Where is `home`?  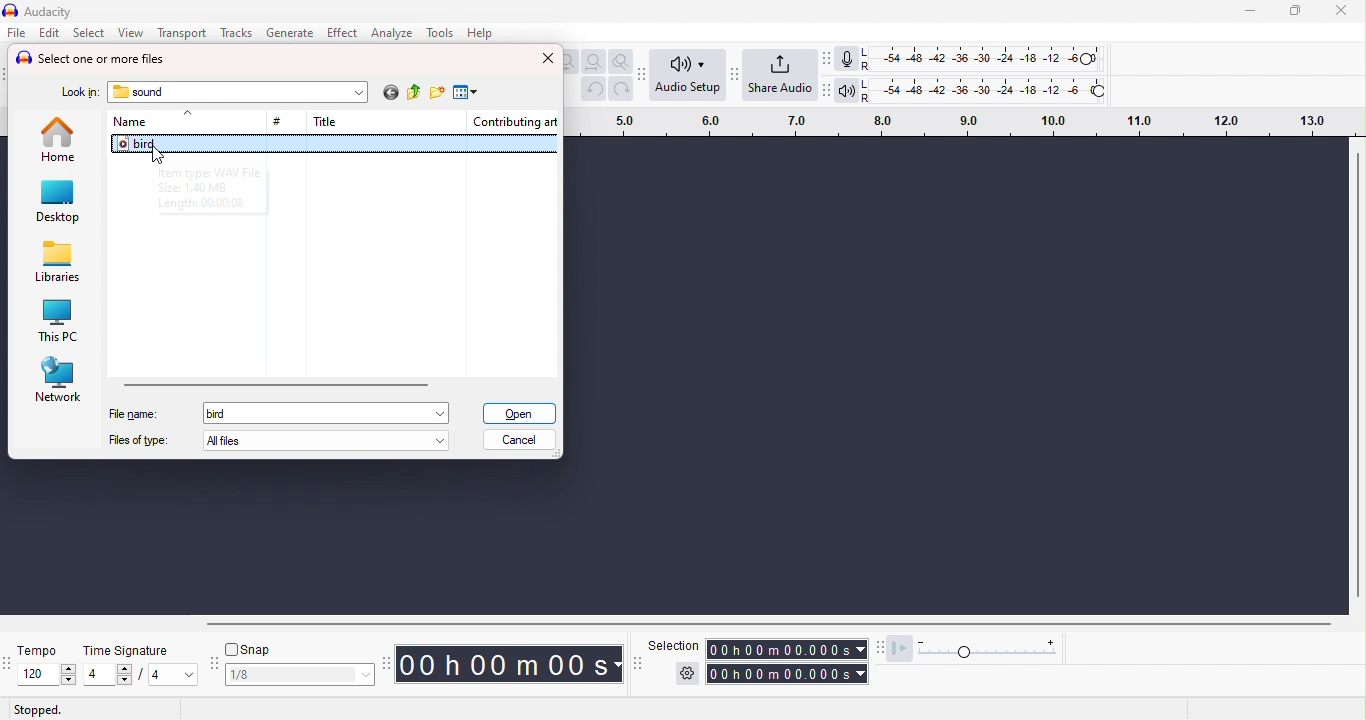 home is located at coordinates (61, 138).